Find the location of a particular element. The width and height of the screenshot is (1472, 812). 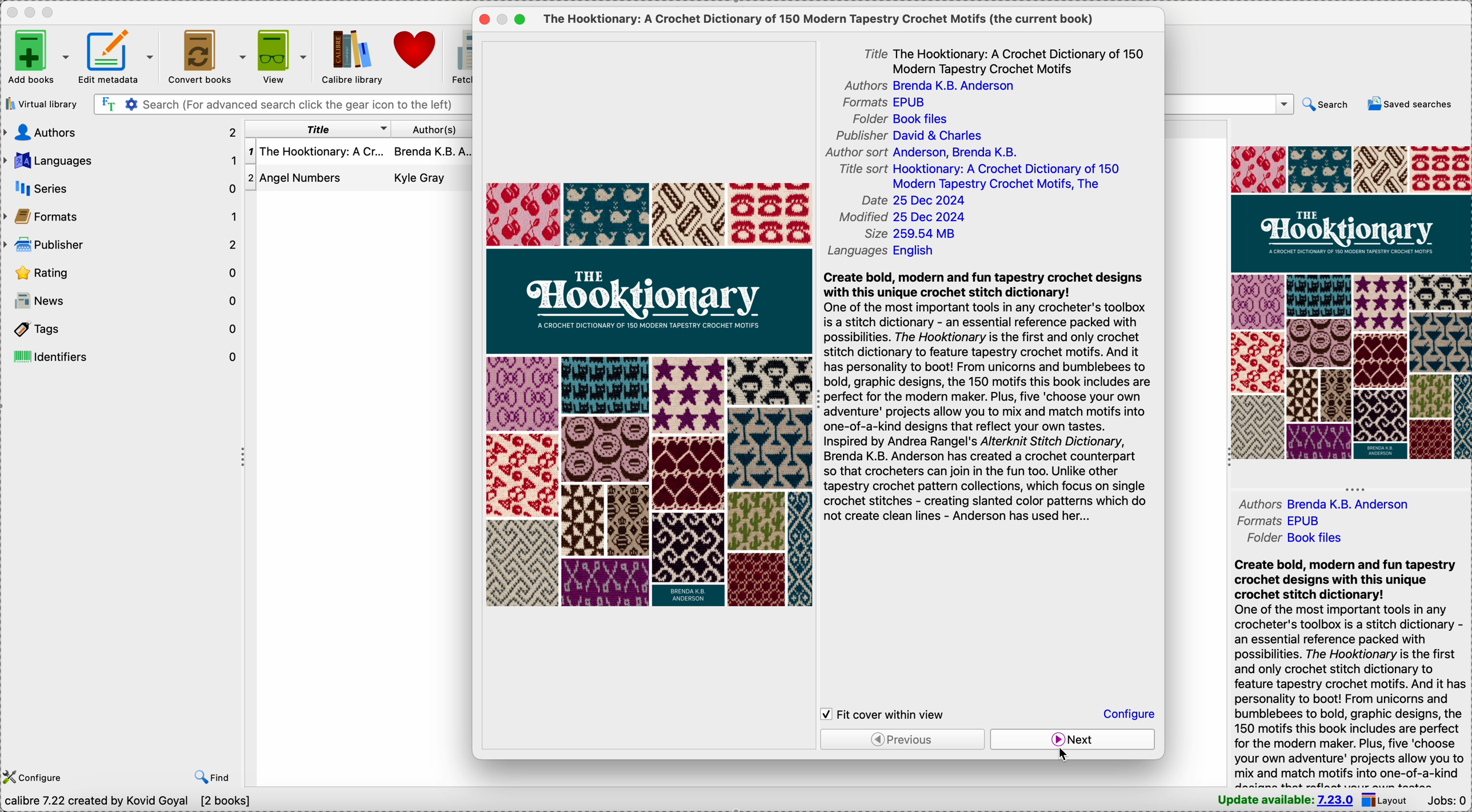

languages is located at coordinates (888, 249).